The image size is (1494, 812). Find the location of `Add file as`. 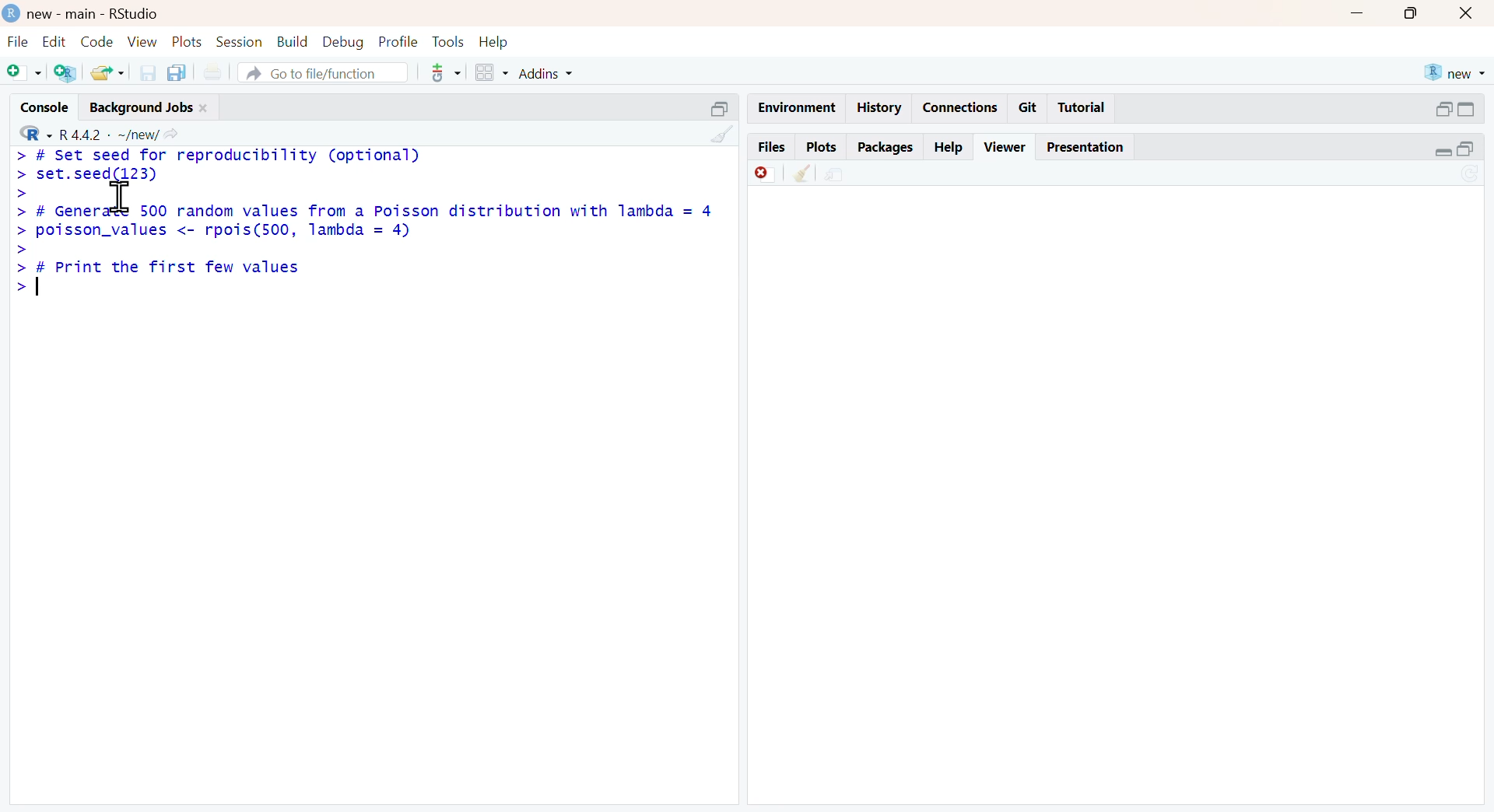

Add file as is located at coordinates (26, 73).